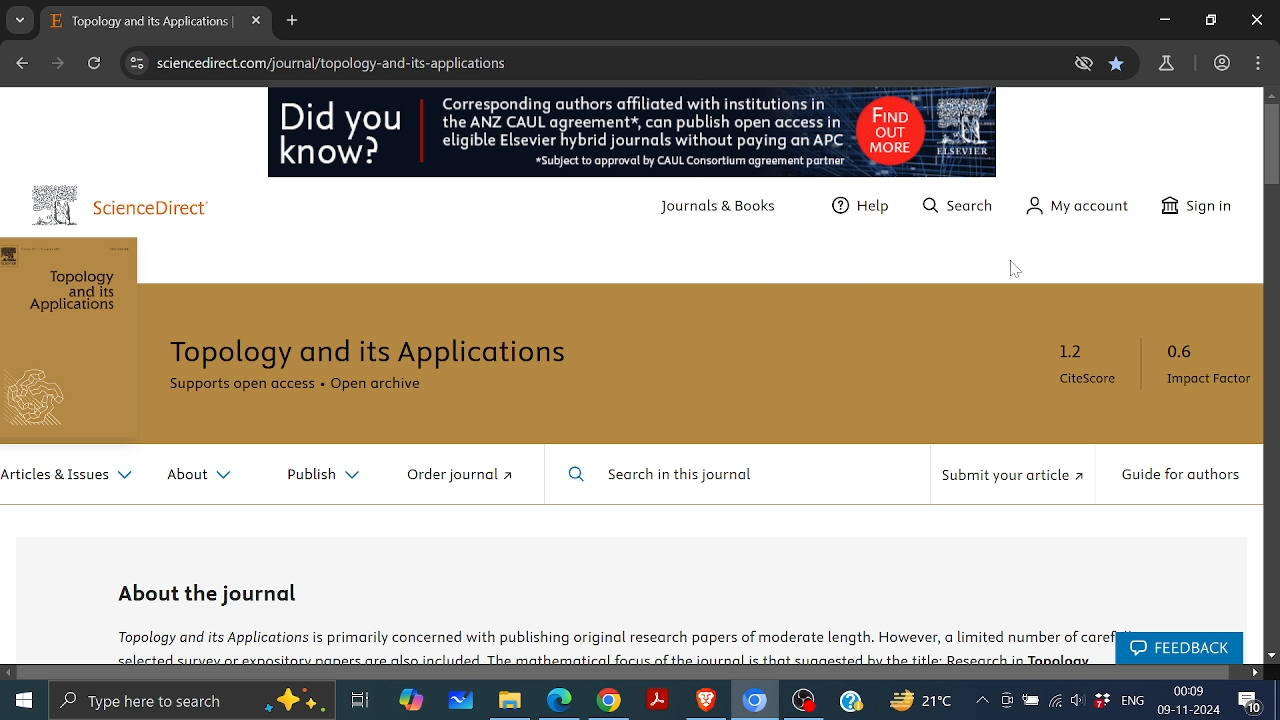 This screenshot has height=720, width=1280. Describe the element at coordinates (24, 701) in the screenshot. I see ` start` at that location.